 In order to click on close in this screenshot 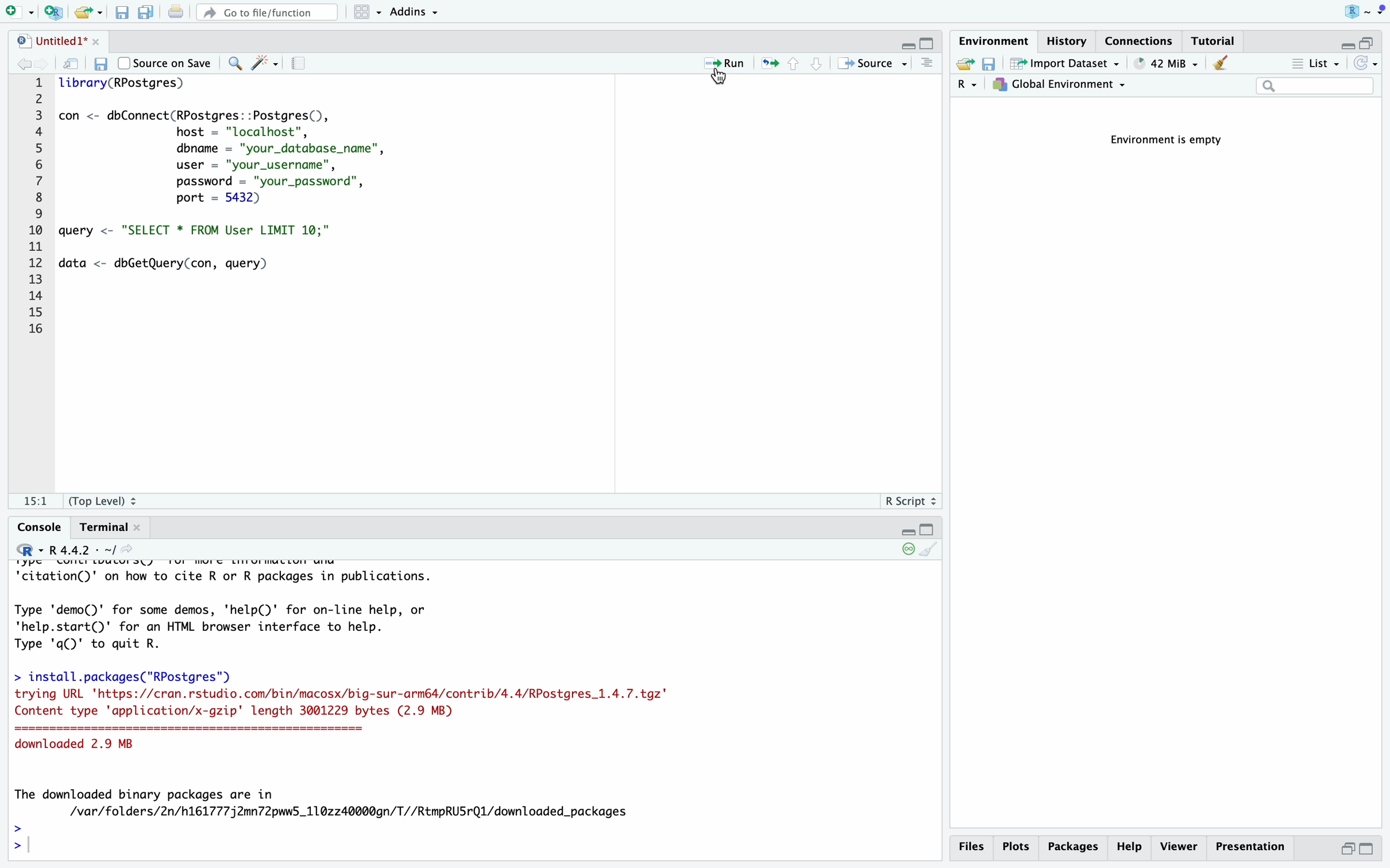, I will do `click(146, 527)`.